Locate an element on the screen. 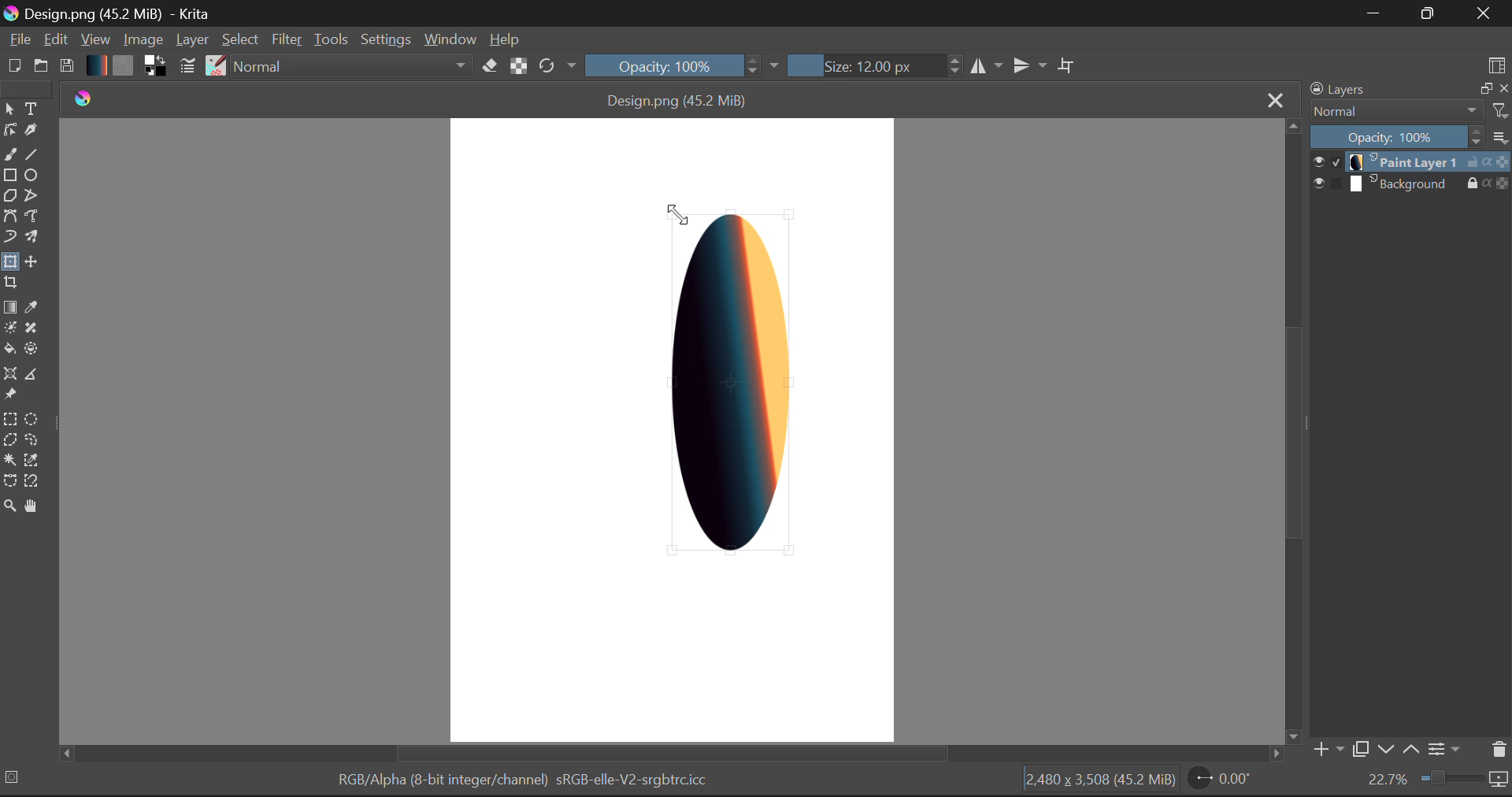 Image resolution: width=1512 pixels, height=797 pixels. Polyline is located at coordinates (32, 197).